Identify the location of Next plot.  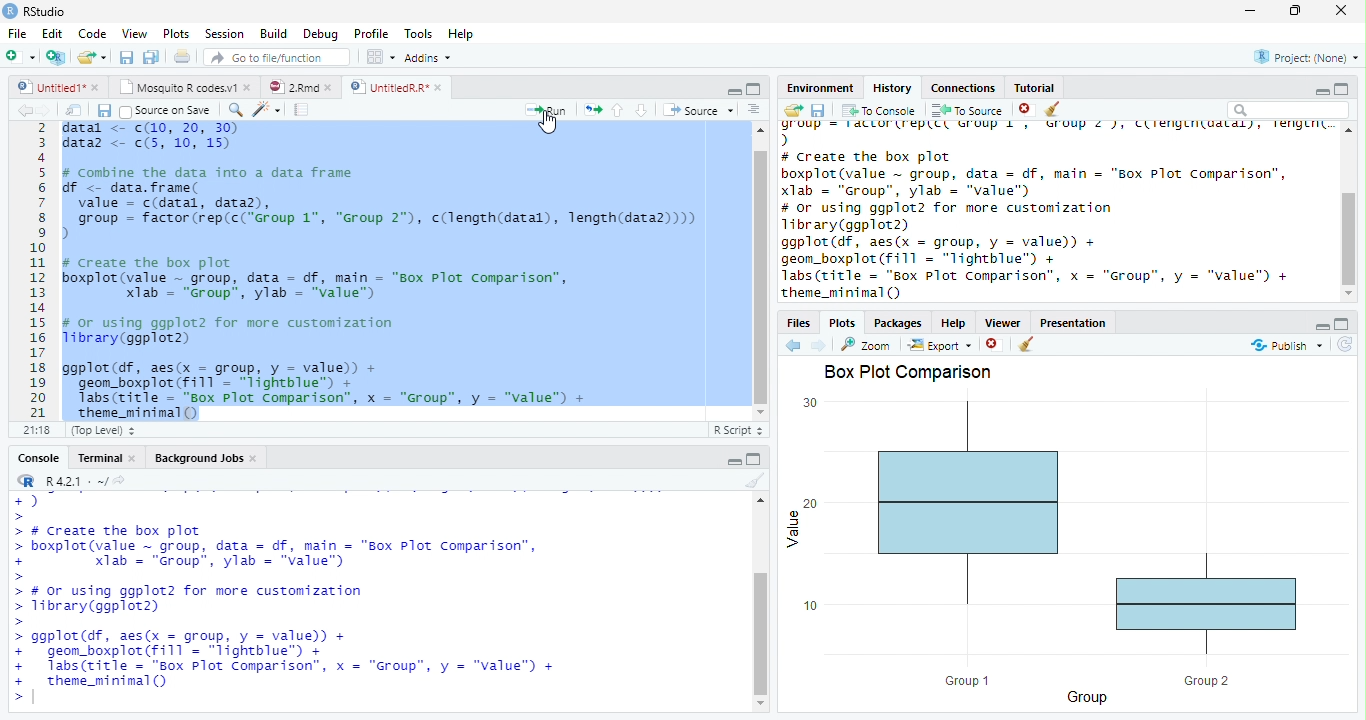
(819, 345).